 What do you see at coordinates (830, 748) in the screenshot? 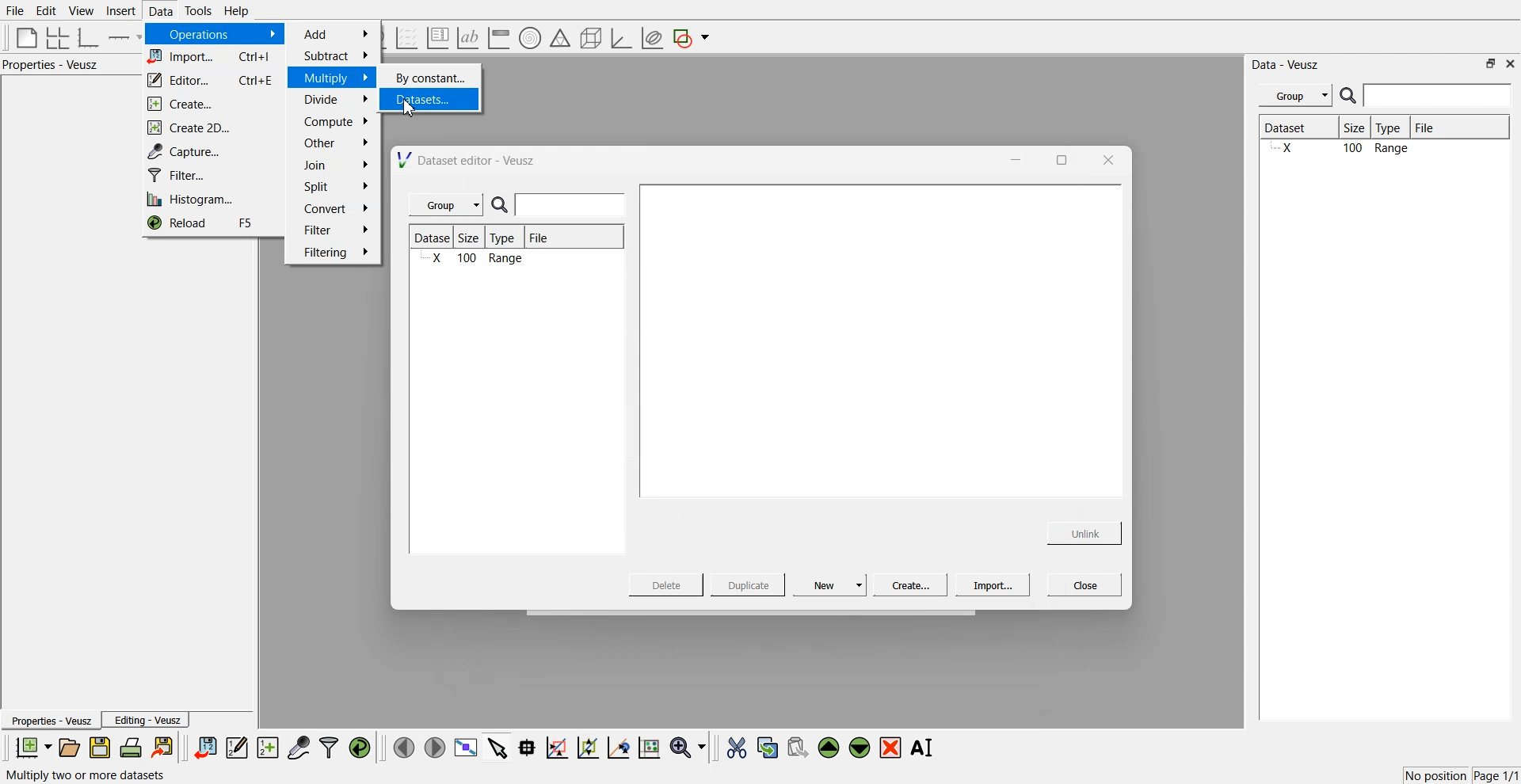
I see `move the selected widgets up` at bounding box center [830, 748].